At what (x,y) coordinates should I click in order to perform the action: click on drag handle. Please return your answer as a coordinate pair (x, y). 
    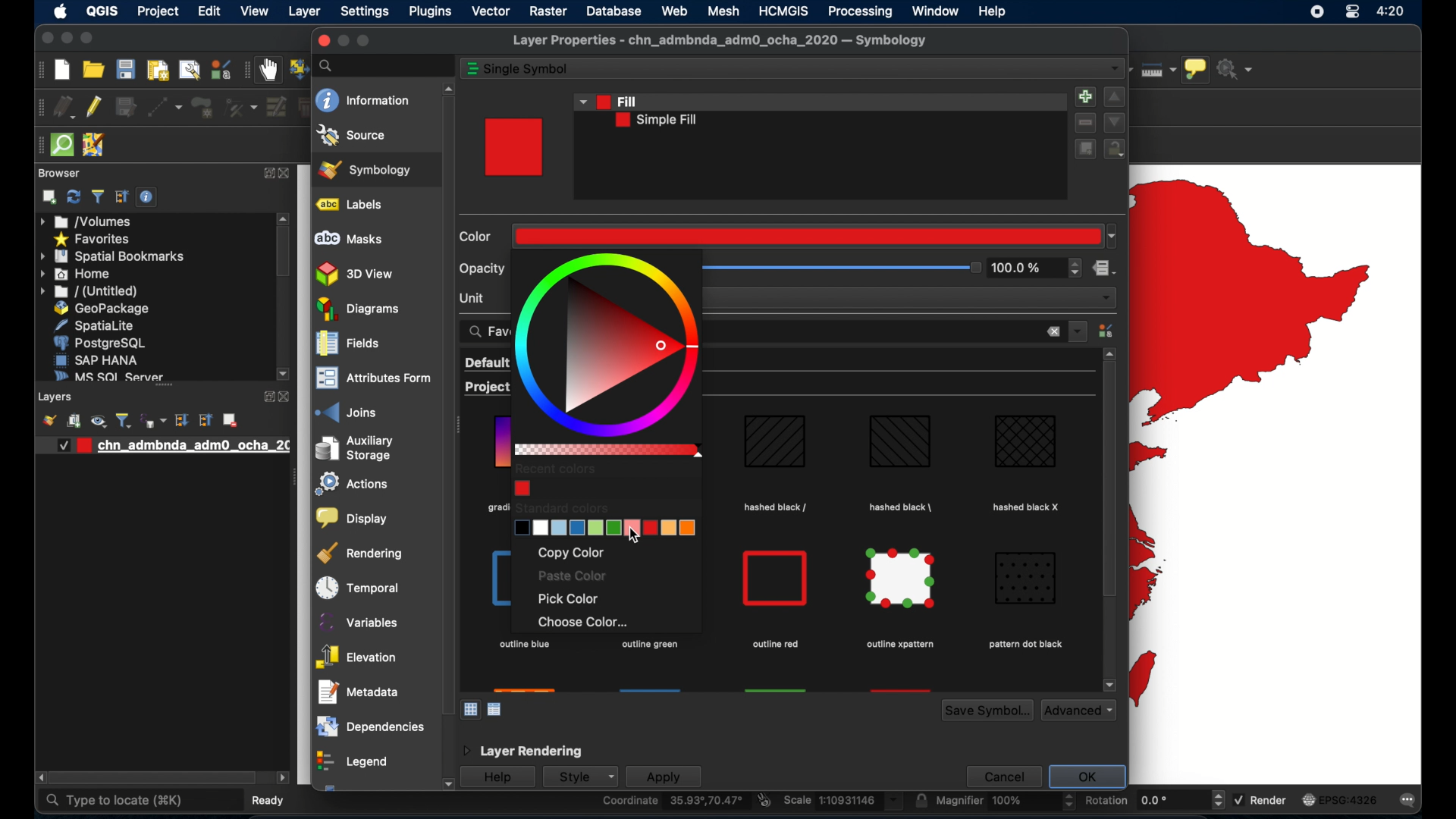
    Looking at the image, I should click on (293, 479).